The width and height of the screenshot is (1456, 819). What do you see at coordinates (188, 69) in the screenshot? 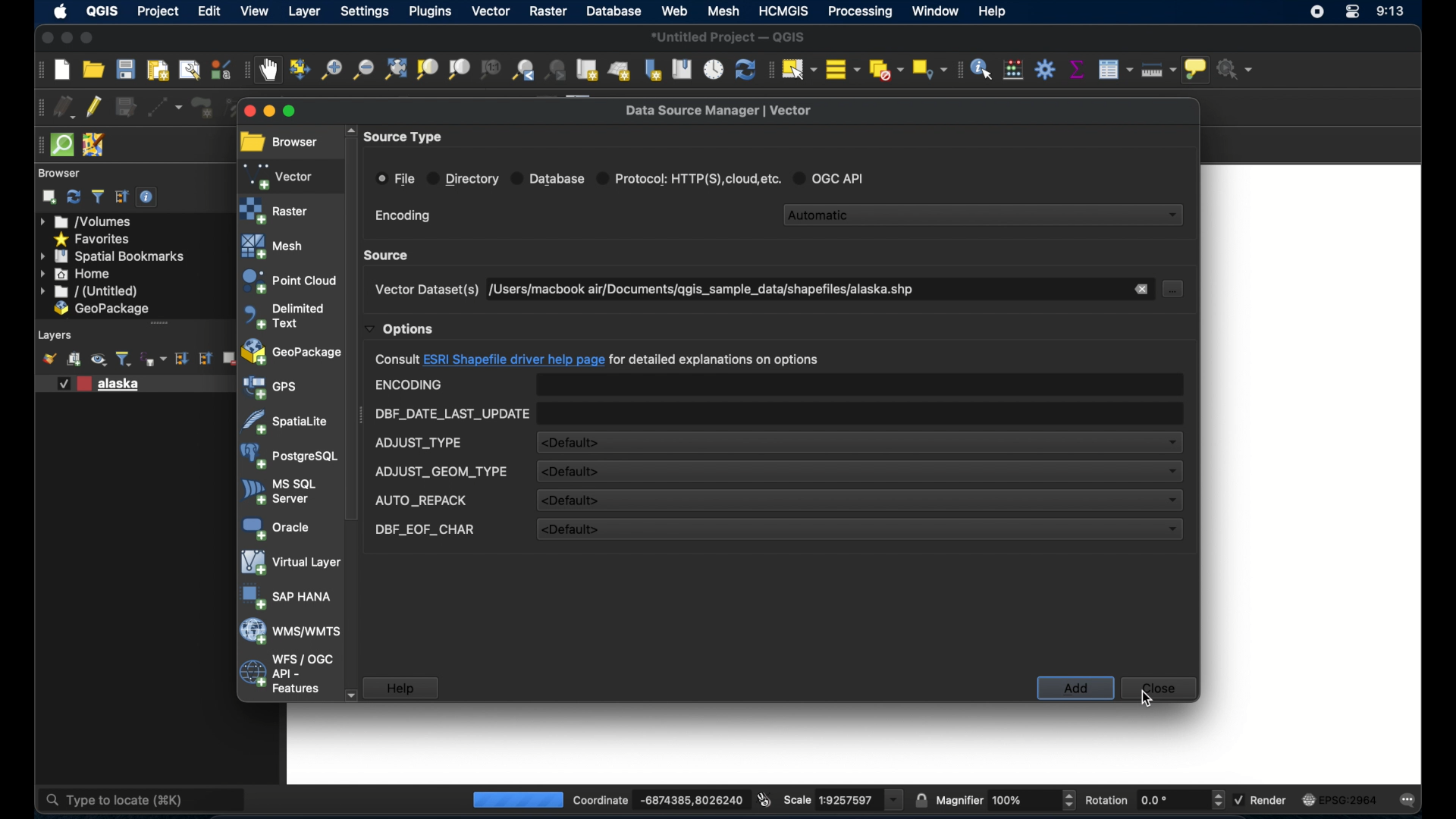
I see `show layout manager` at bounding box center [188, 69].